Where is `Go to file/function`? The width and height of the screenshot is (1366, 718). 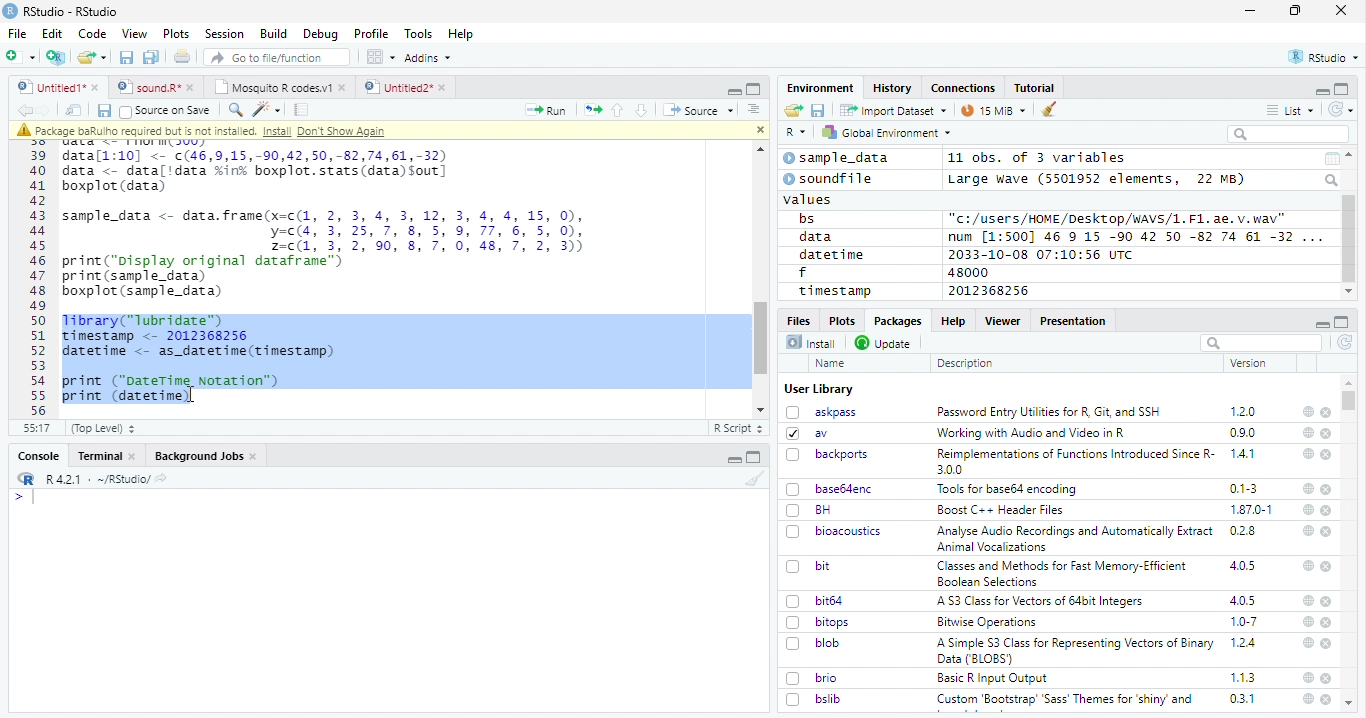 Go to file/function is located at coordinates (278, 57).